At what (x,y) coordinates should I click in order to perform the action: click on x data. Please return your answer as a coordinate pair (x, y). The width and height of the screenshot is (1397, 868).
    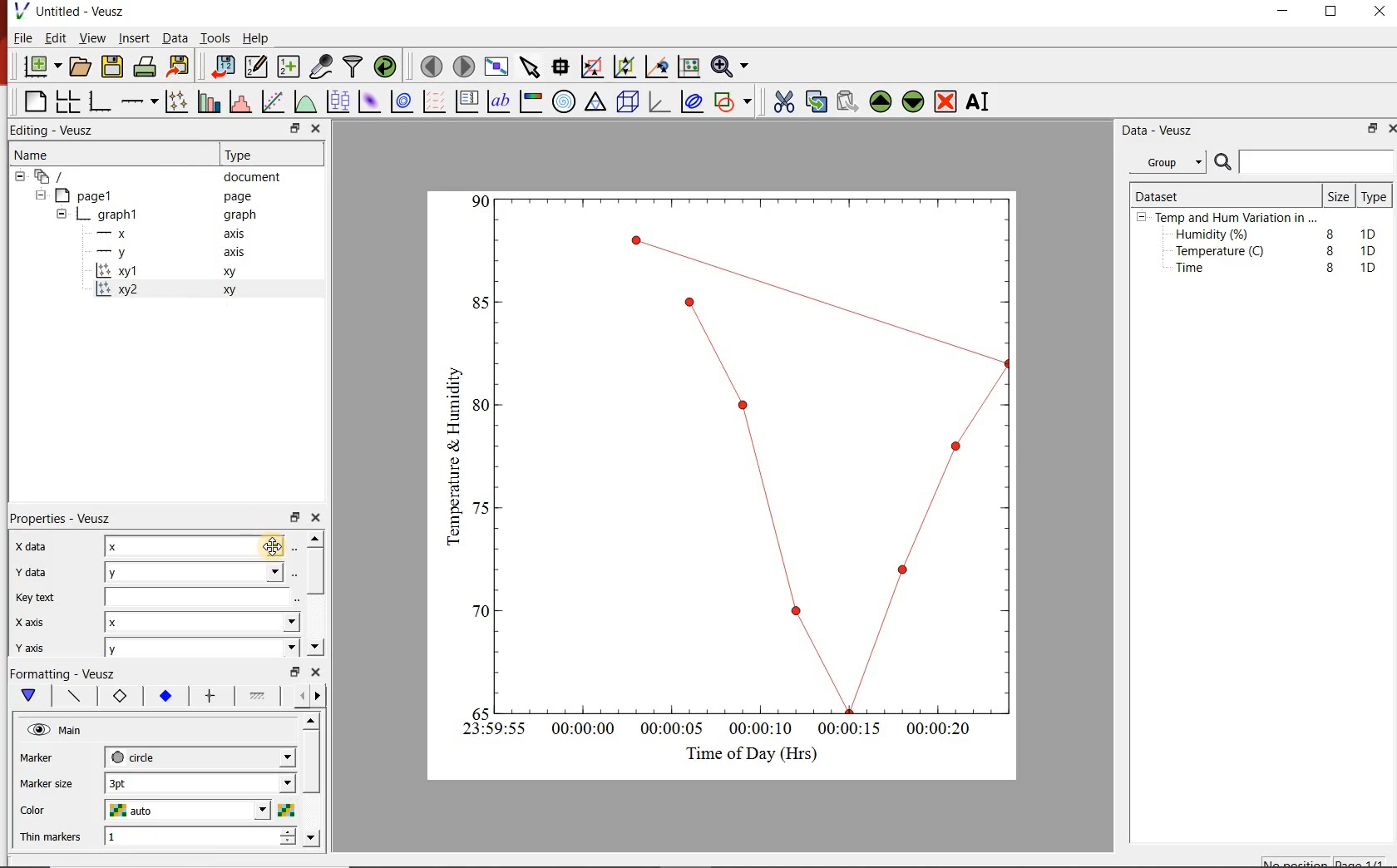
    Looking at the image, I should click on (42, 542).